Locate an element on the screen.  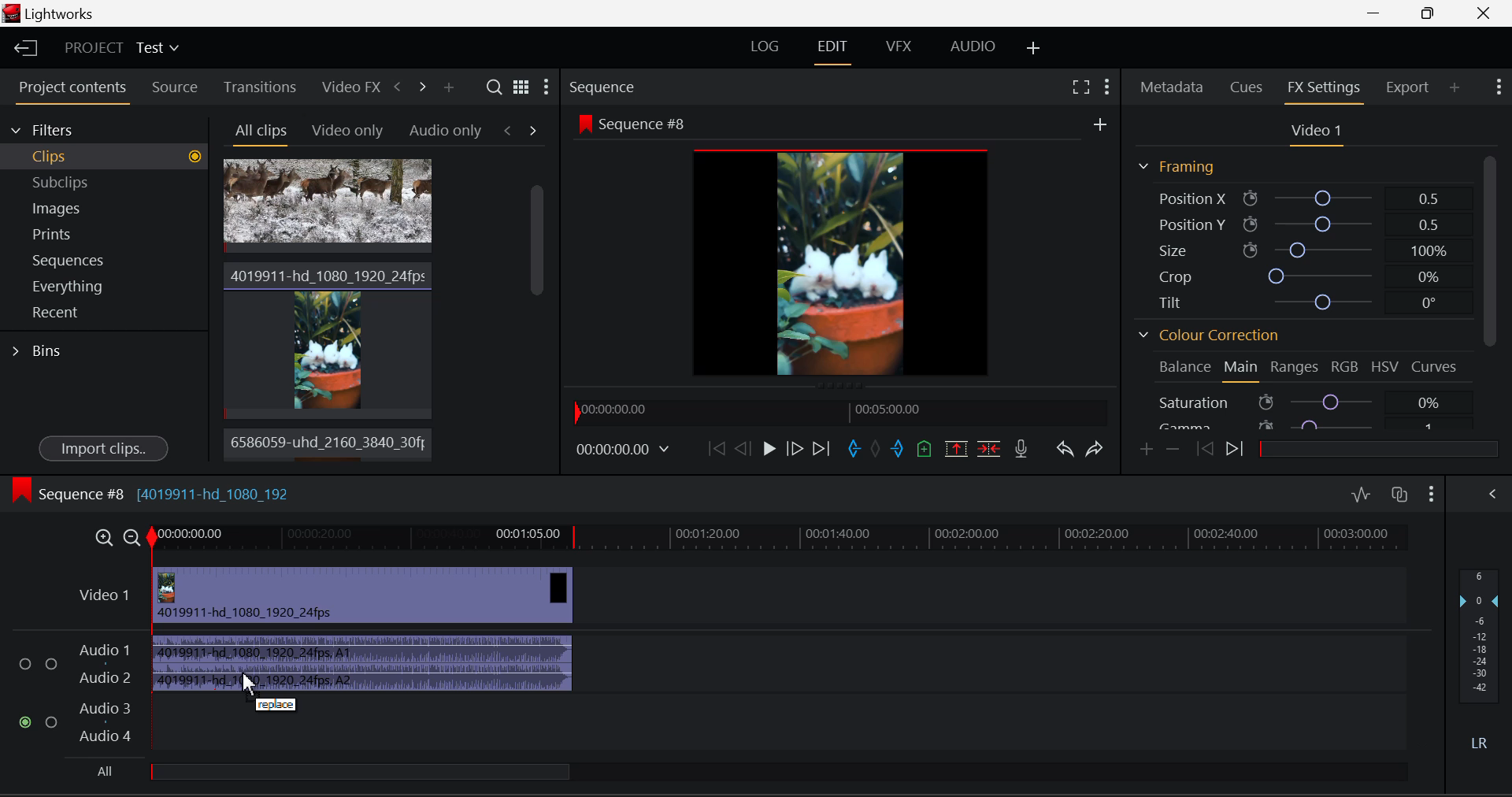
Video only is located at coordinates (345, 129).